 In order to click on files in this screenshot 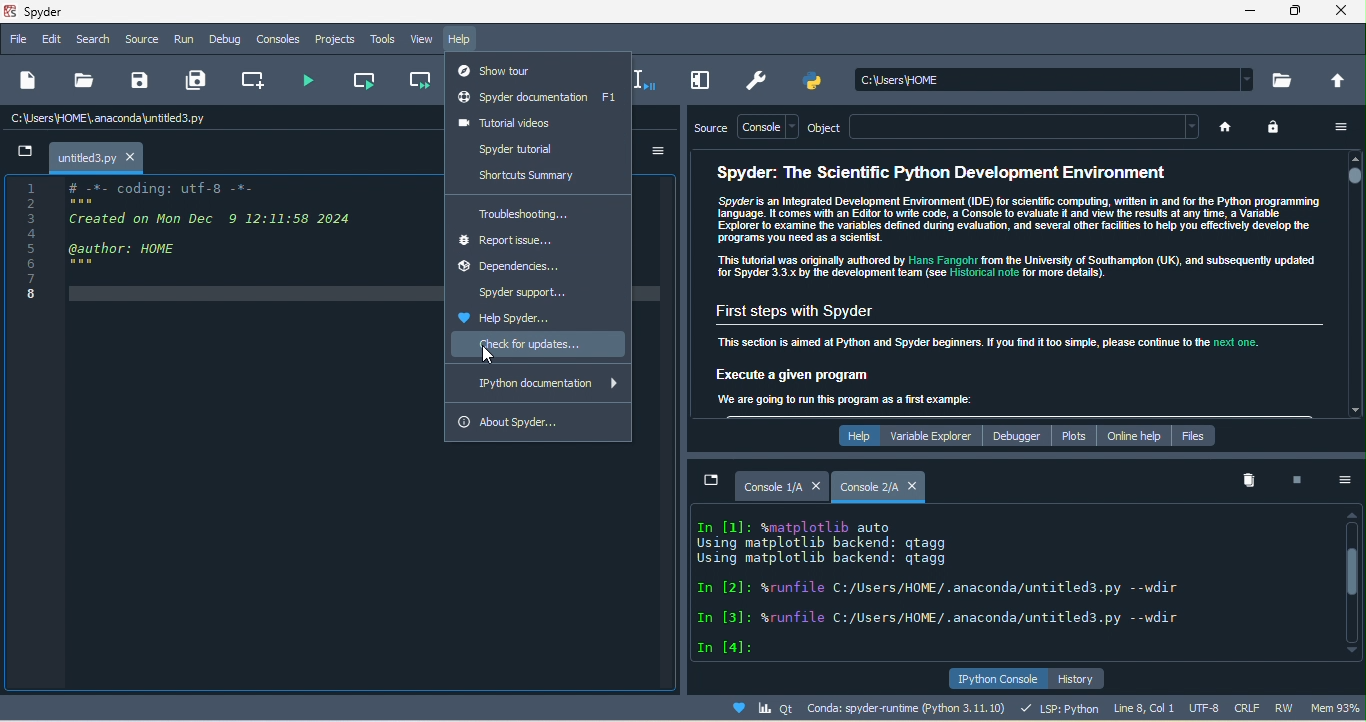, I will do `click(1199, 434)`.